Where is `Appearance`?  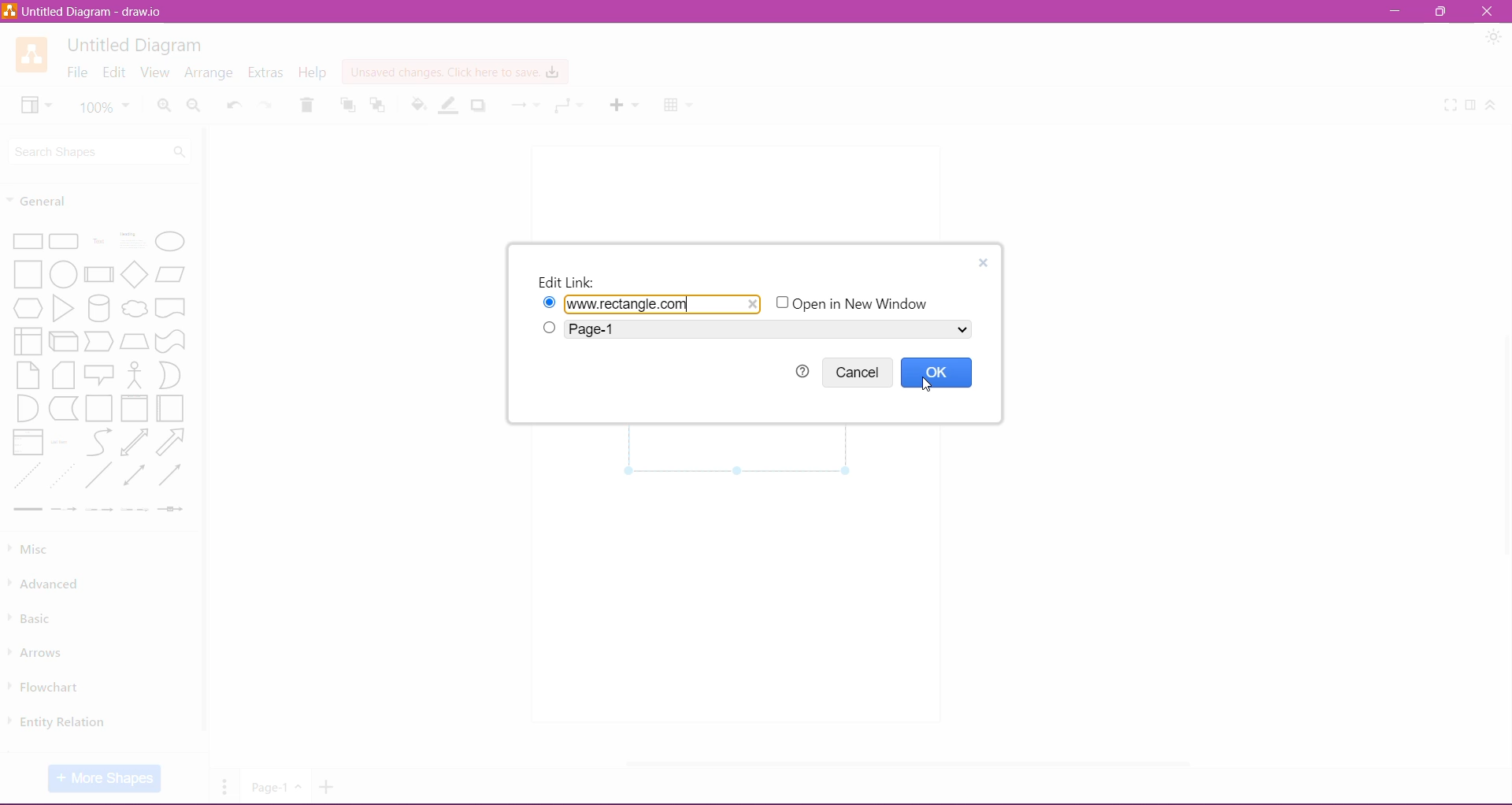
Appearance is located at coordinates (1494, 38).